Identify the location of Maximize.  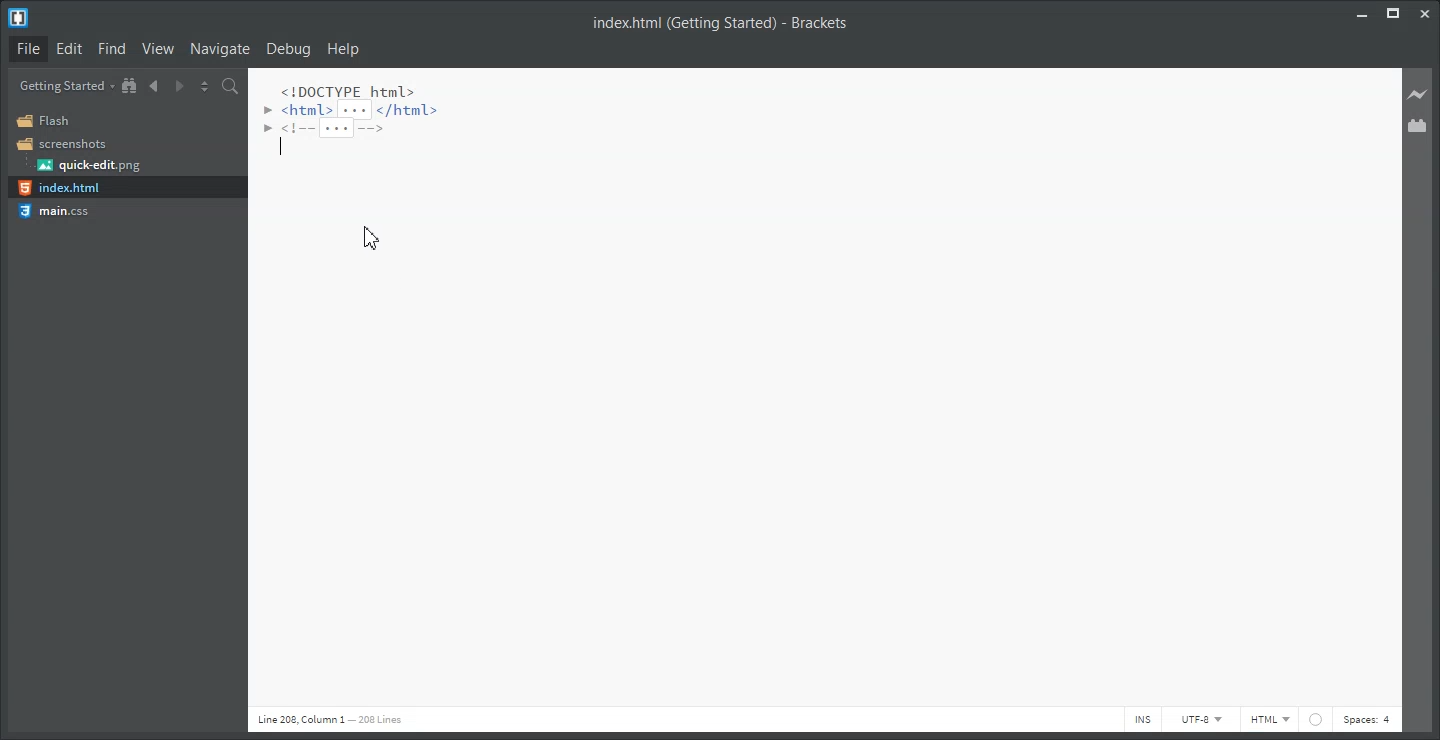
(1393, 12).